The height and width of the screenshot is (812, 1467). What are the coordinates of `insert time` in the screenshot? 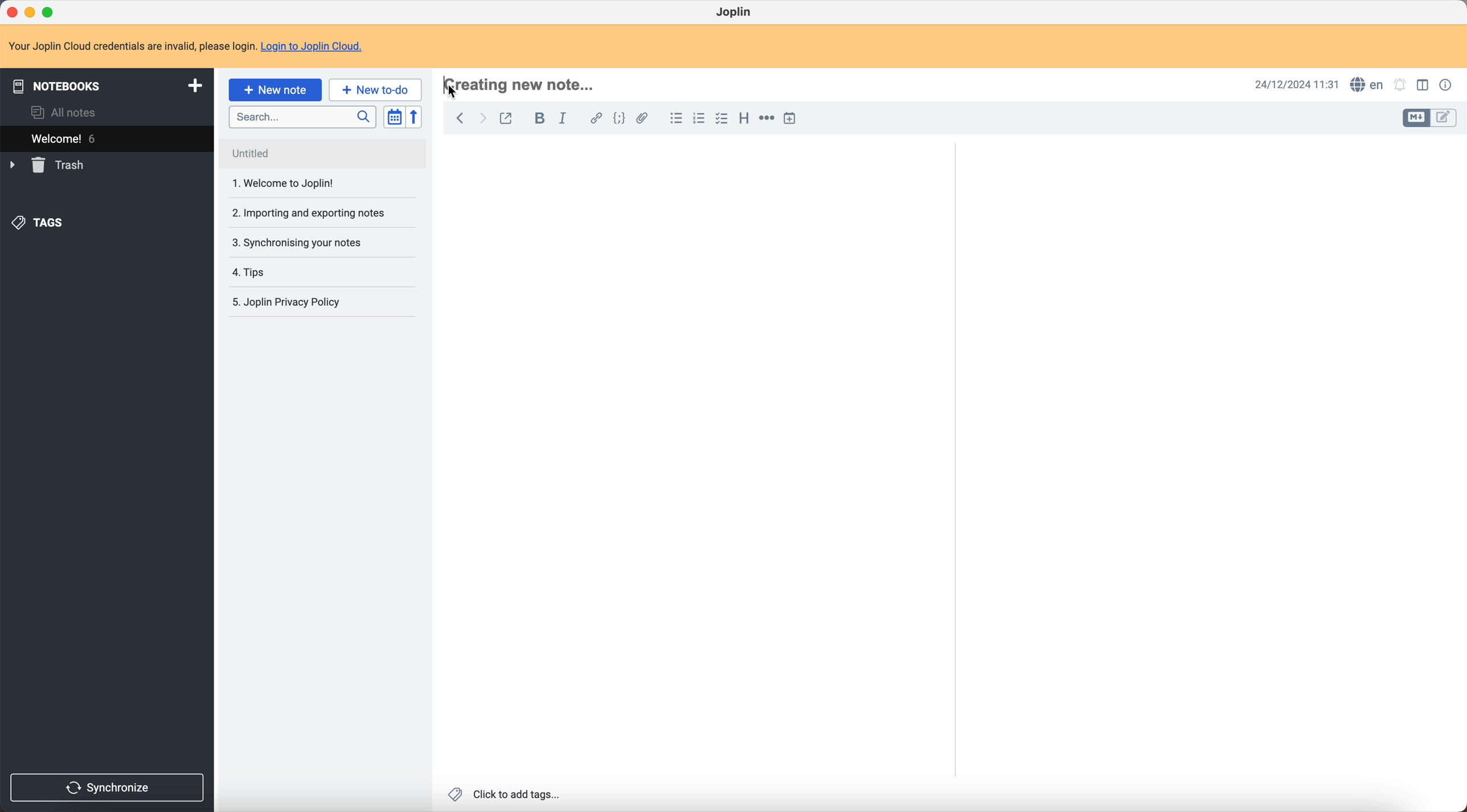 It's located at (789, 118).